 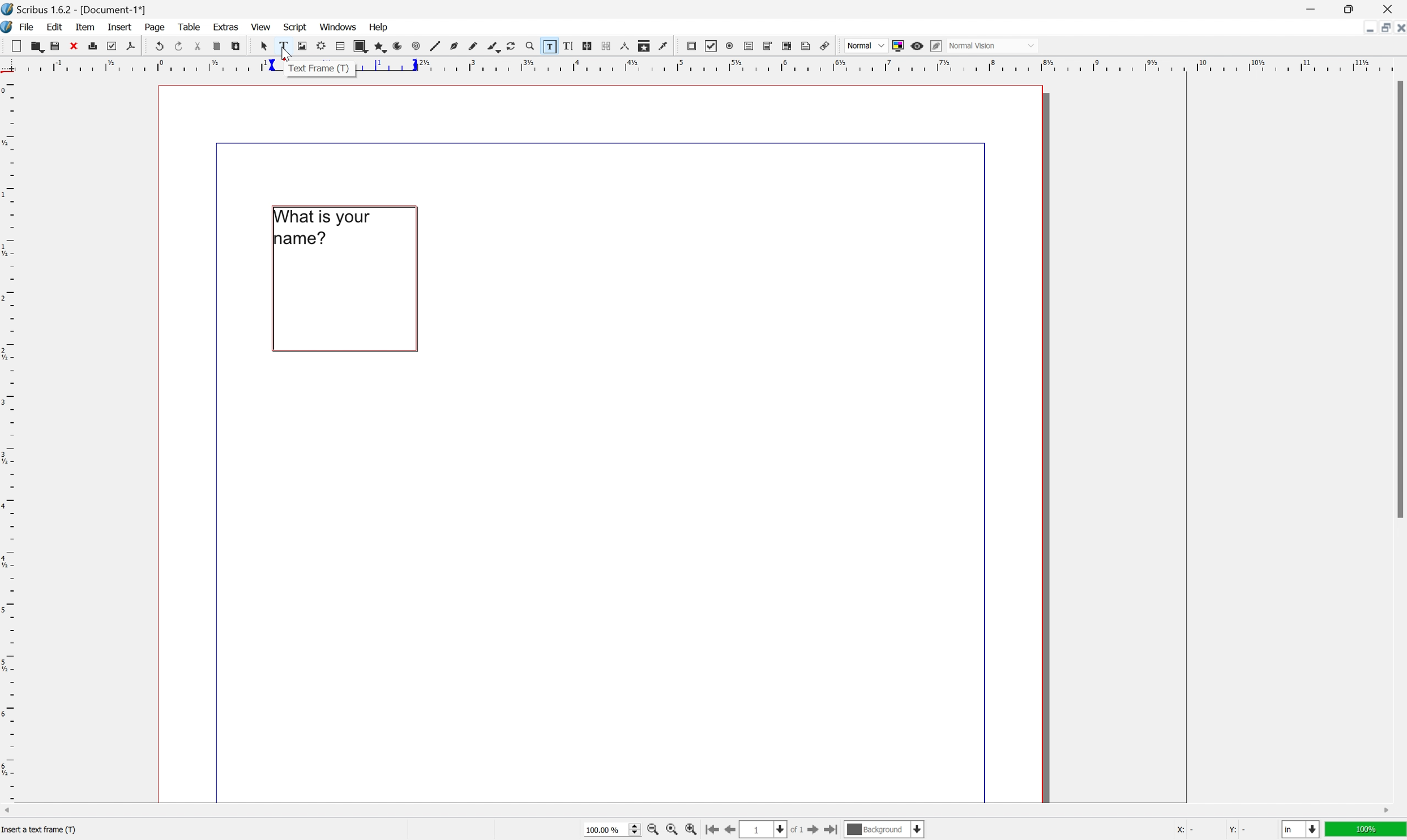 I want to click on eye dropper, so click(x=664, y=46).